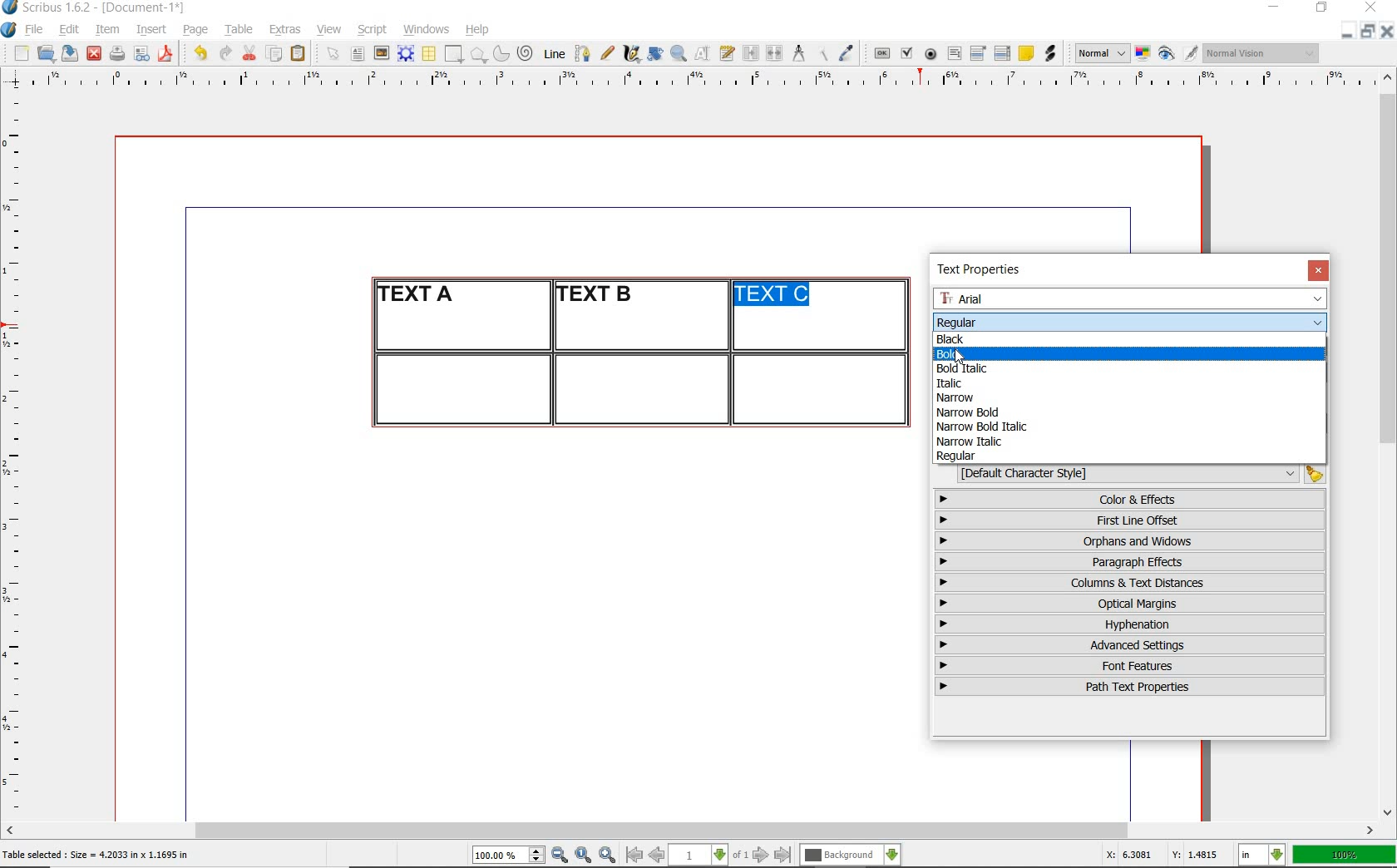  I want to click on line, so click(552, 53).